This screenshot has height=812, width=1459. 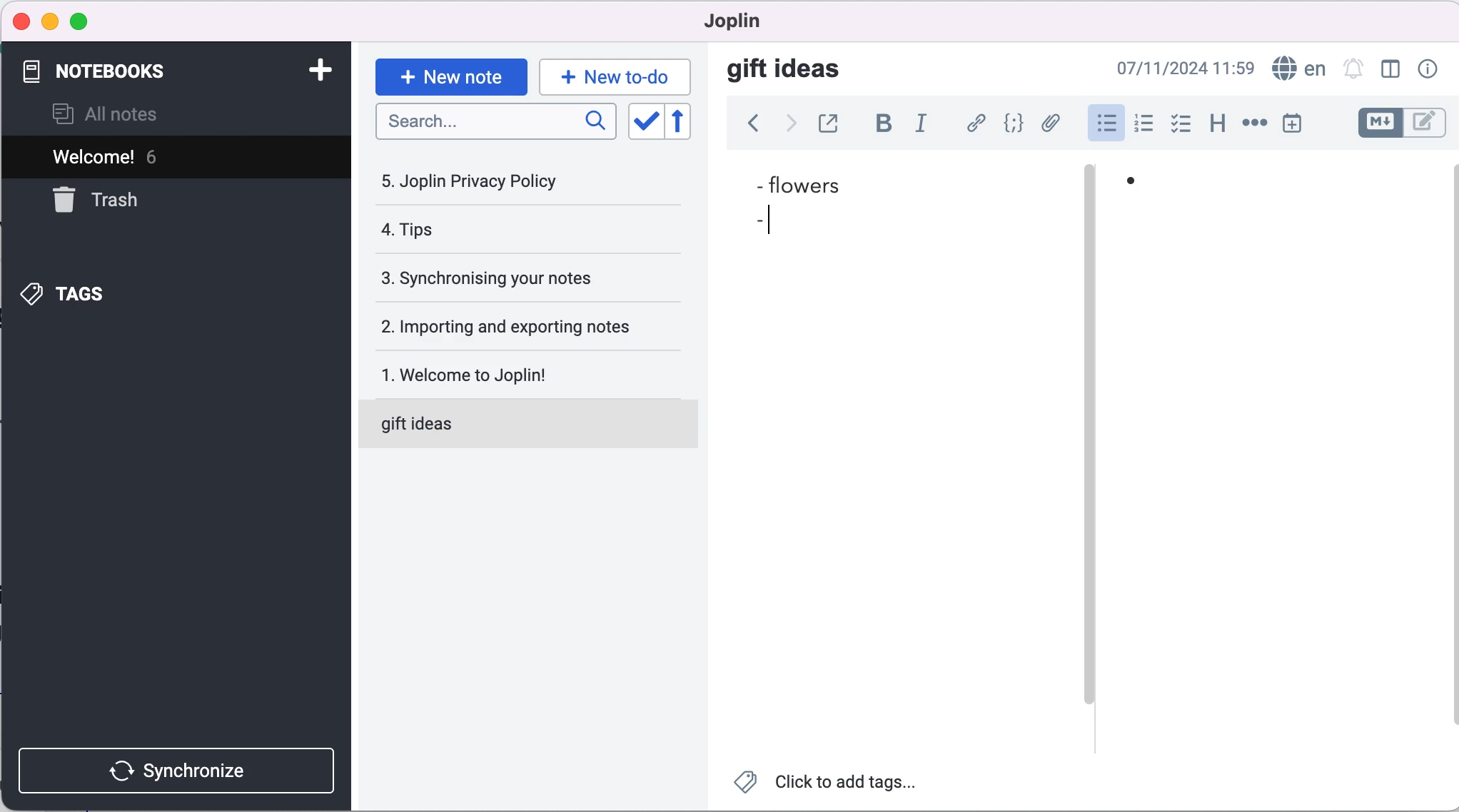 I want to click on add file, so click(x=1052, y=124).